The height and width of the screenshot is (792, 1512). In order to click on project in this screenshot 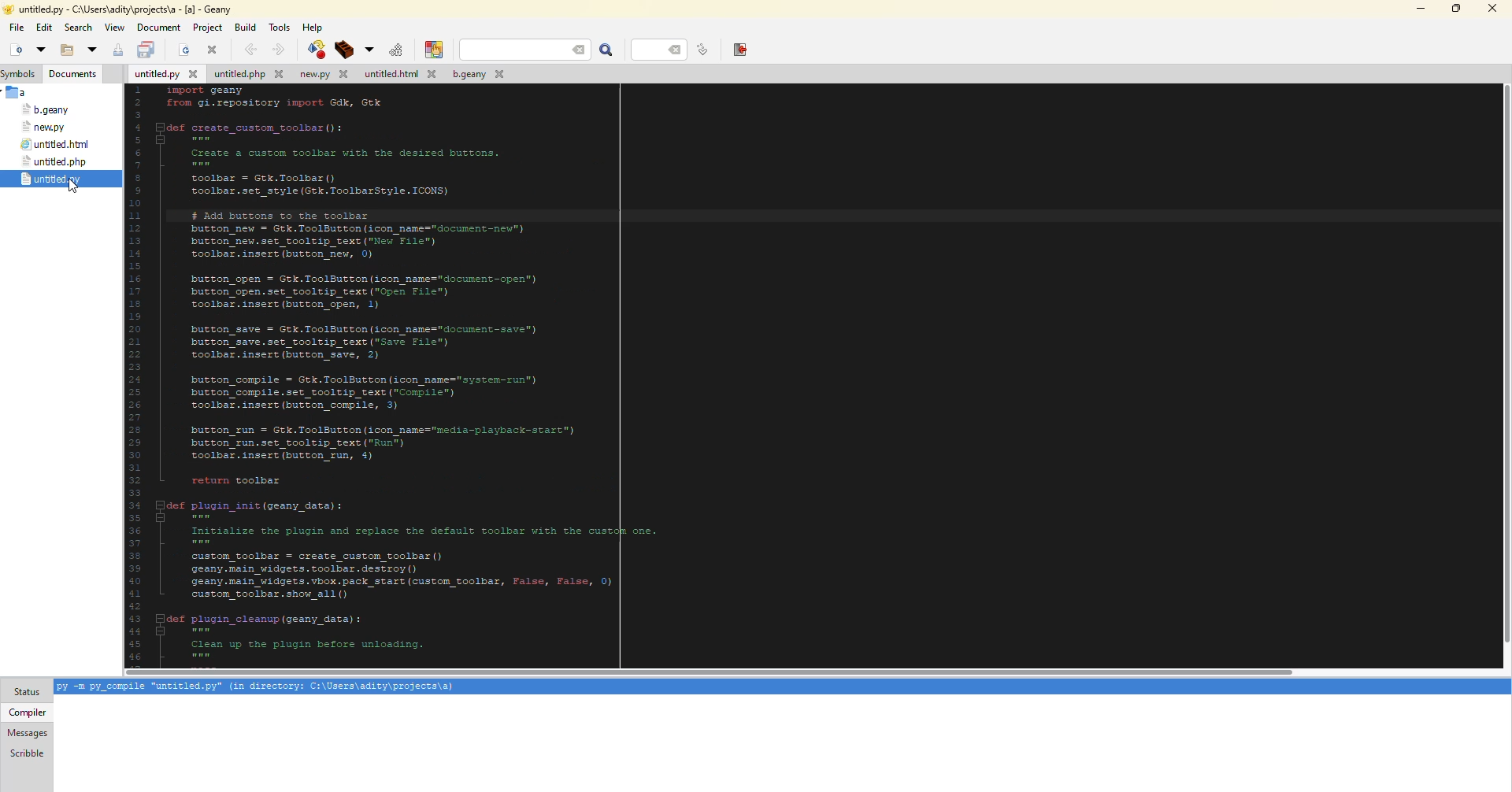, I will do `click(208, 28)`.